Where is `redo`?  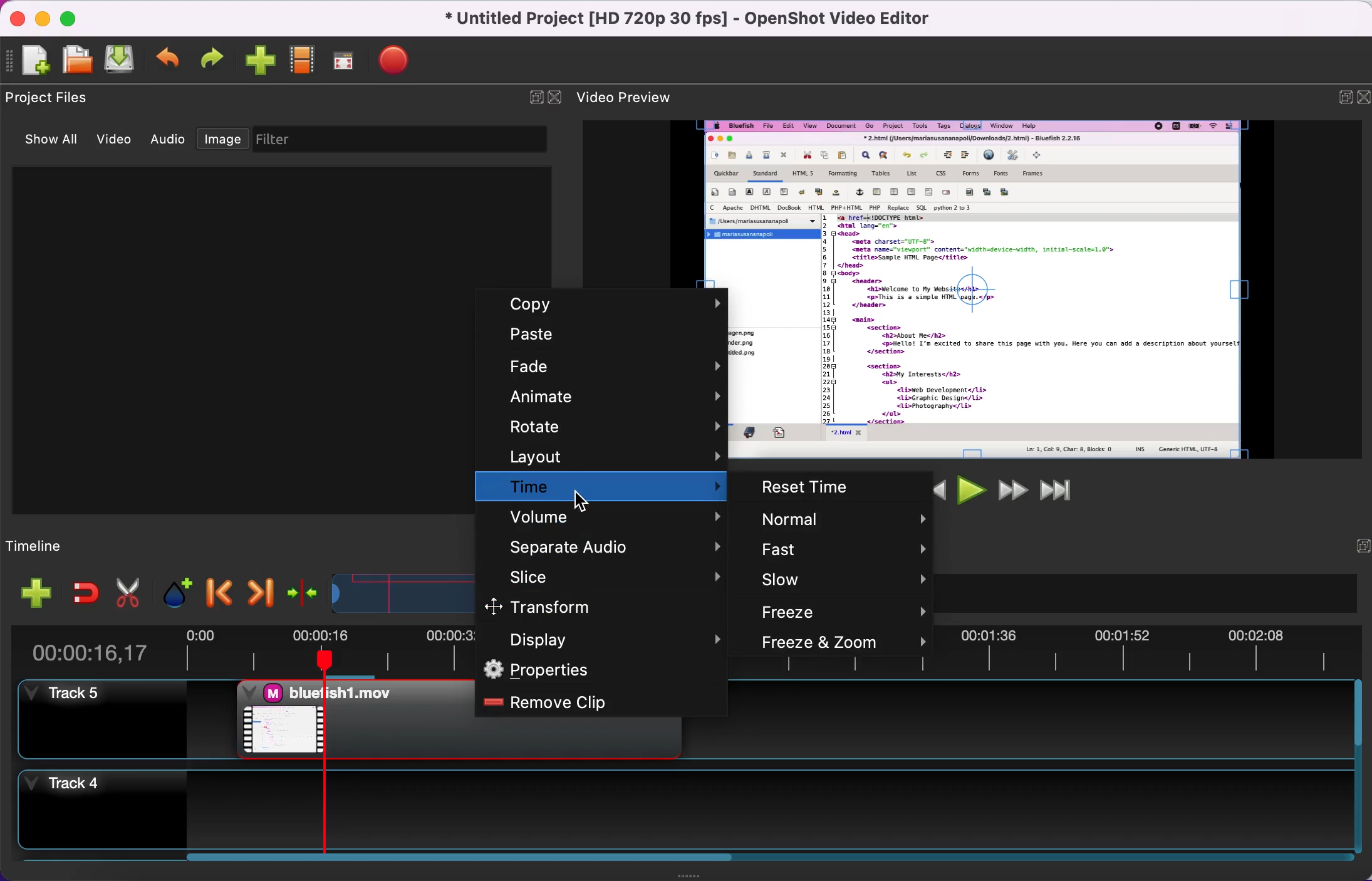
redo is located at coordinates (216, 58).